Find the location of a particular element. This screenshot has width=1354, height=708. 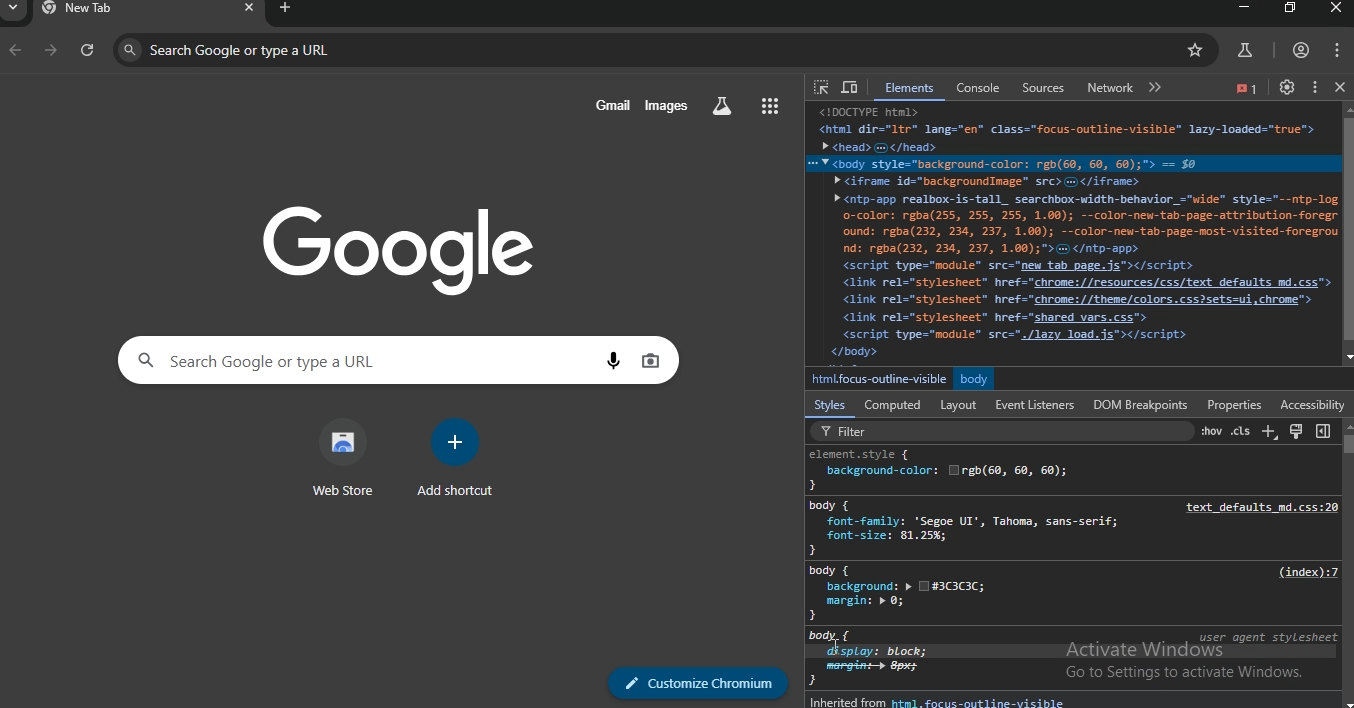

forward is located at coordinates (49, 51).